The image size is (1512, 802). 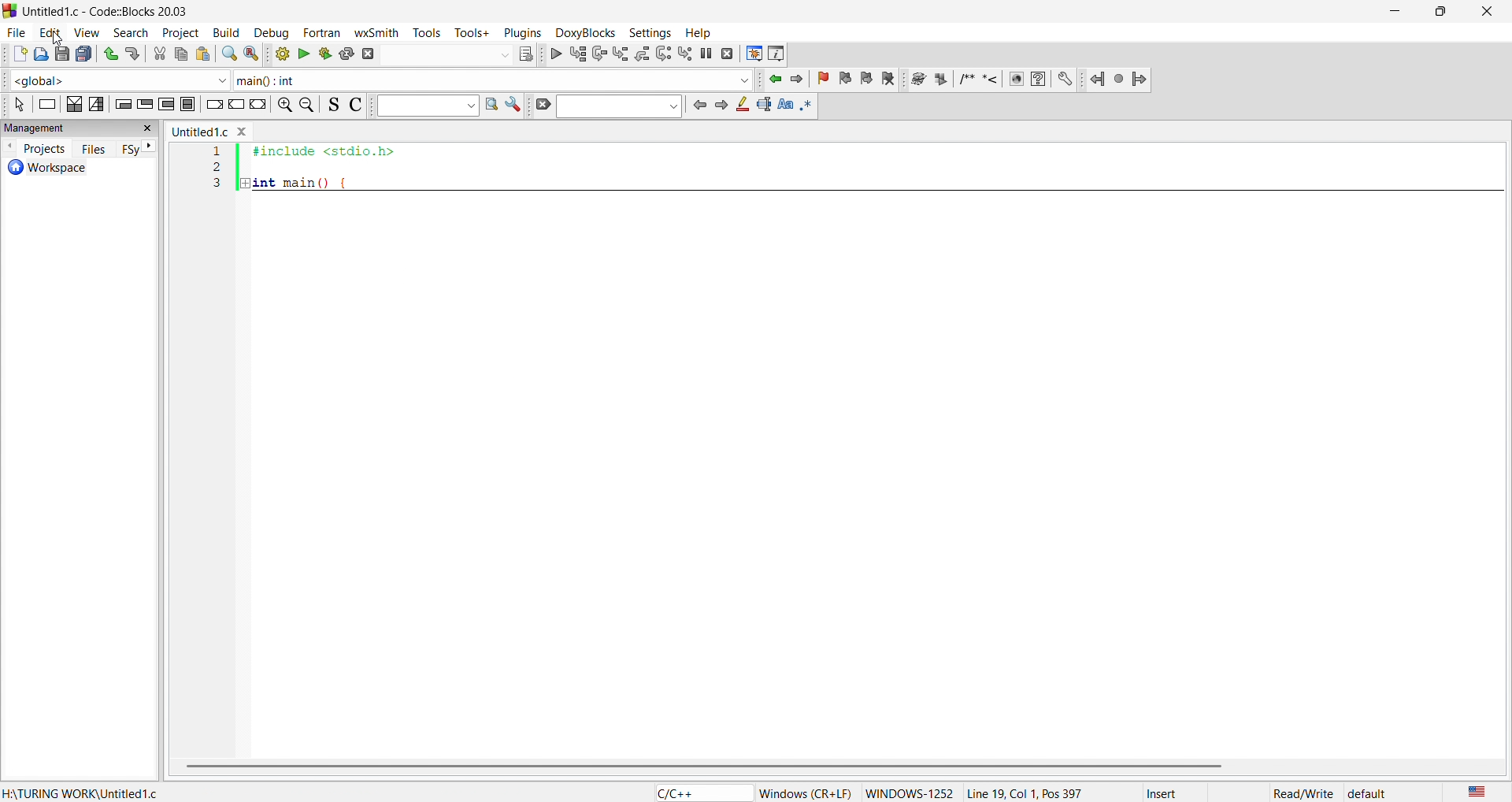 What do you see at coordinates (598, 55) in the screenshot?
I see `next line` at bounding box center [598, 55].